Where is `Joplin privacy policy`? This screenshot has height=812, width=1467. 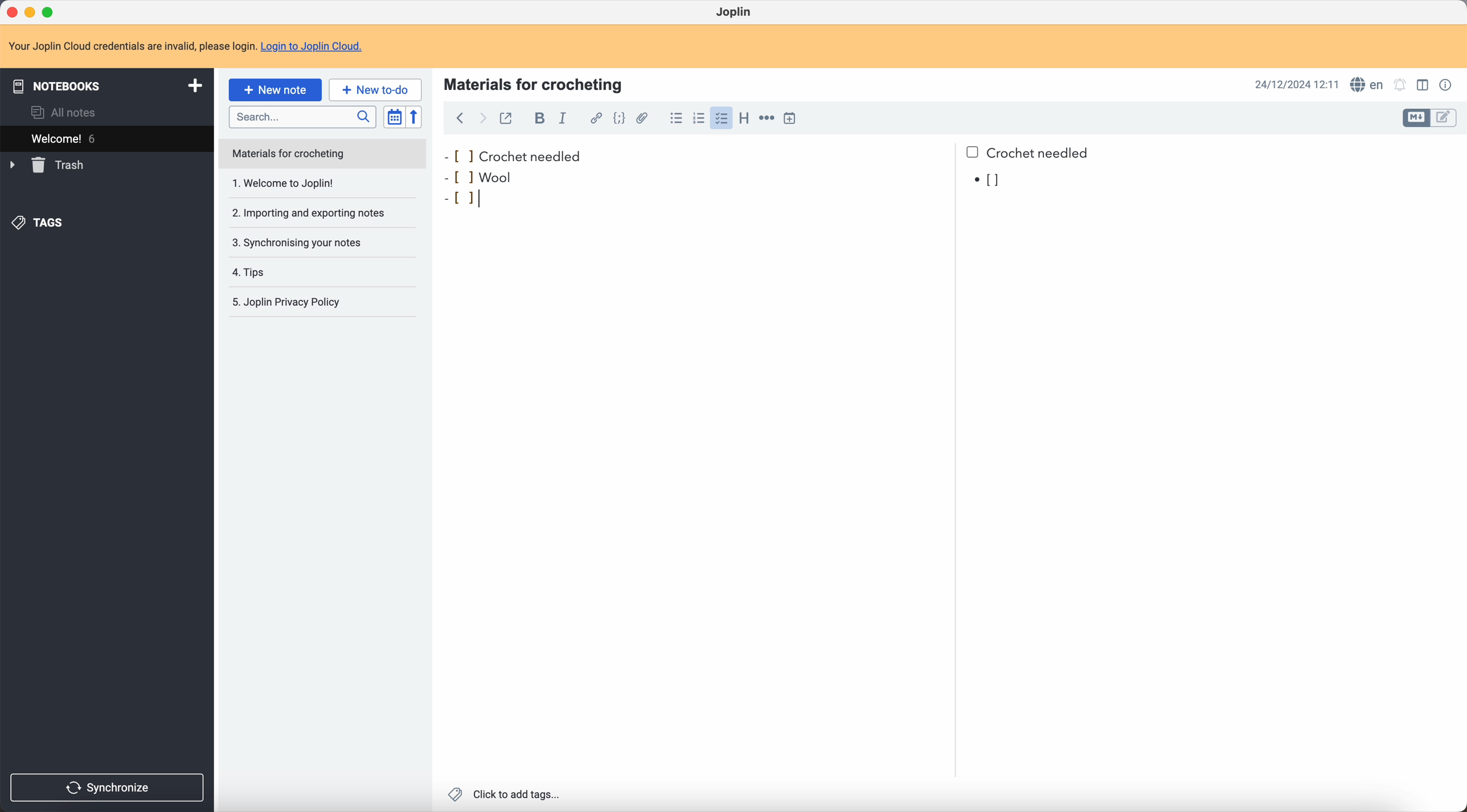
Joplin privacy policy is located at coordinates (293, 304).